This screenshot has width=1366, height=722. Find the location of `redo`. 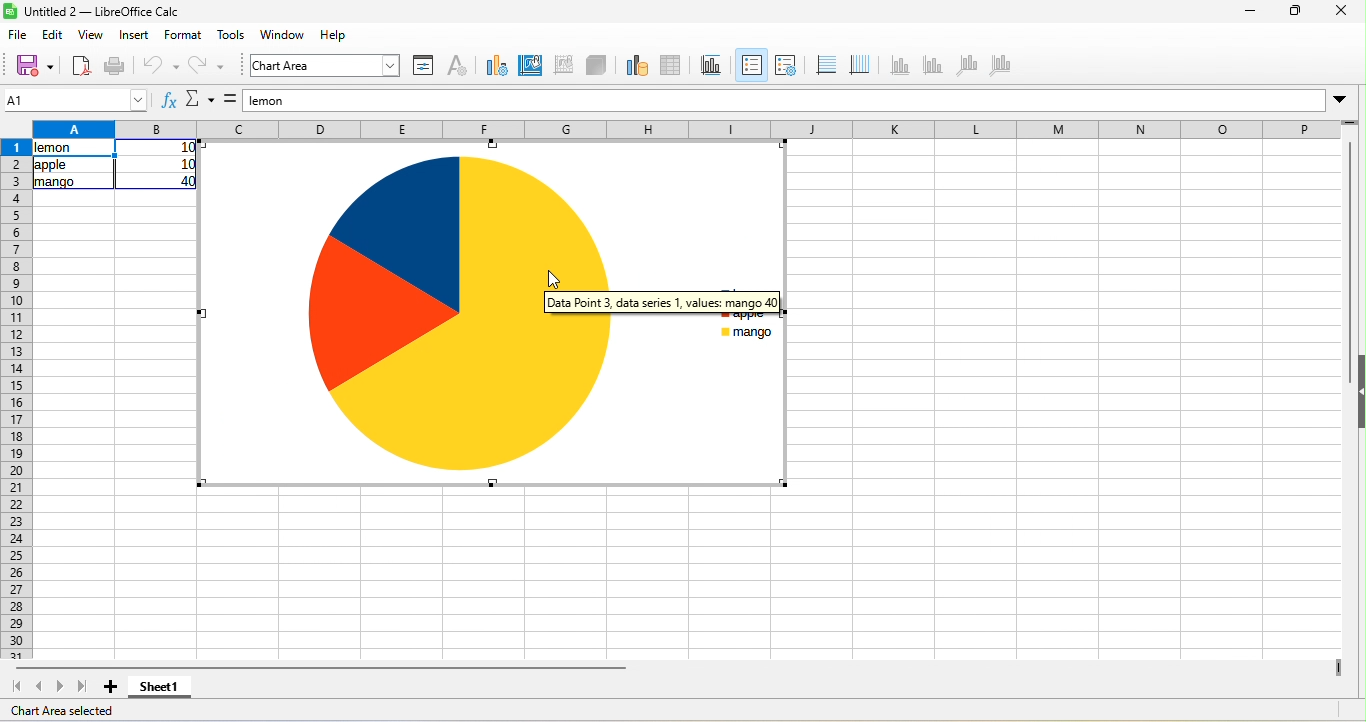

redo is located at coordinates (212, 67).